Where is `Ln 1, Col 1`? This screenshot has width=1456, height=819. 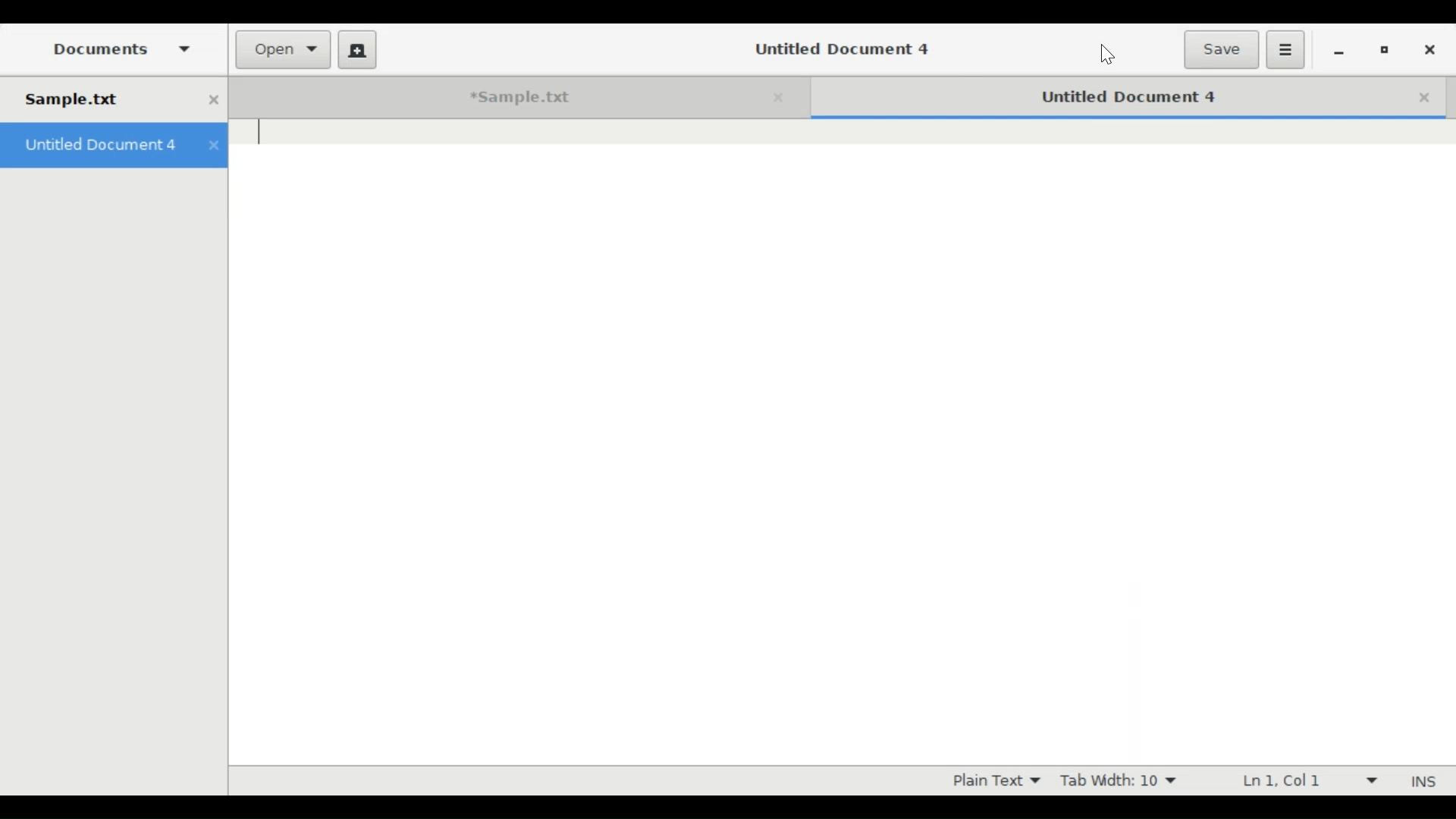 Ln 1, Col 1 is located at coordinates (1307, 777).